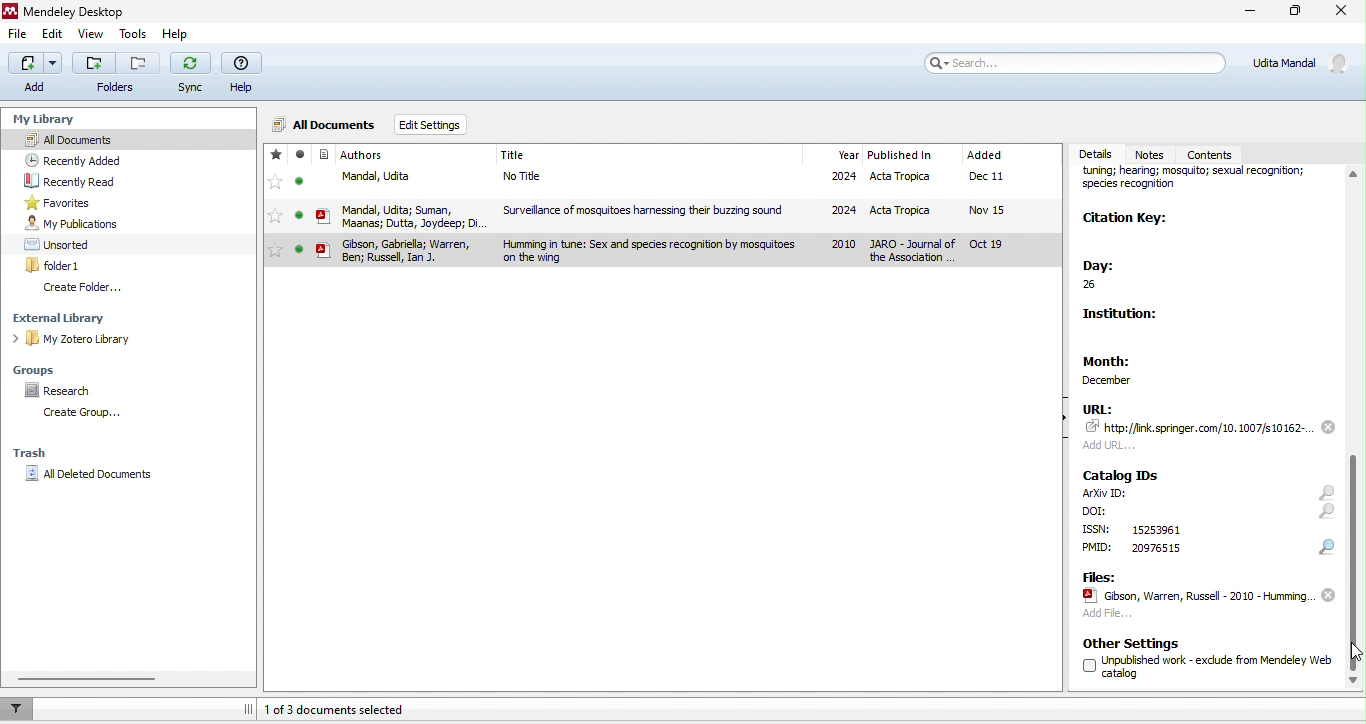  Describe the element at coordinates (192, 75) in the screenshot. I see `sync` at that location.